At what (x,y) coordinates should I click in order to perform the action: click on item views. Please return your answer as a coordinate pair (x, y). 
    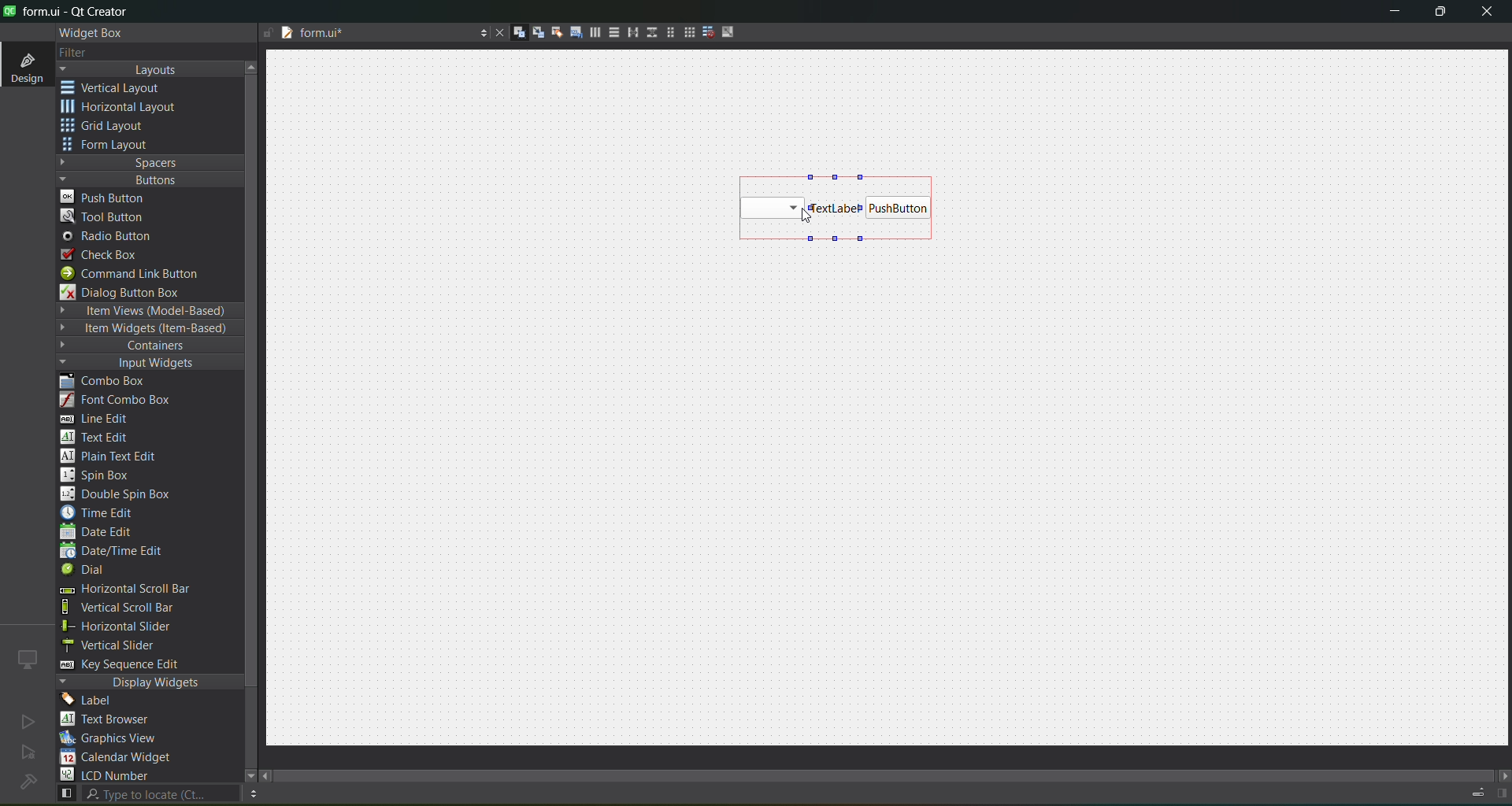
    Looking at the image, I should click on (148, 312).